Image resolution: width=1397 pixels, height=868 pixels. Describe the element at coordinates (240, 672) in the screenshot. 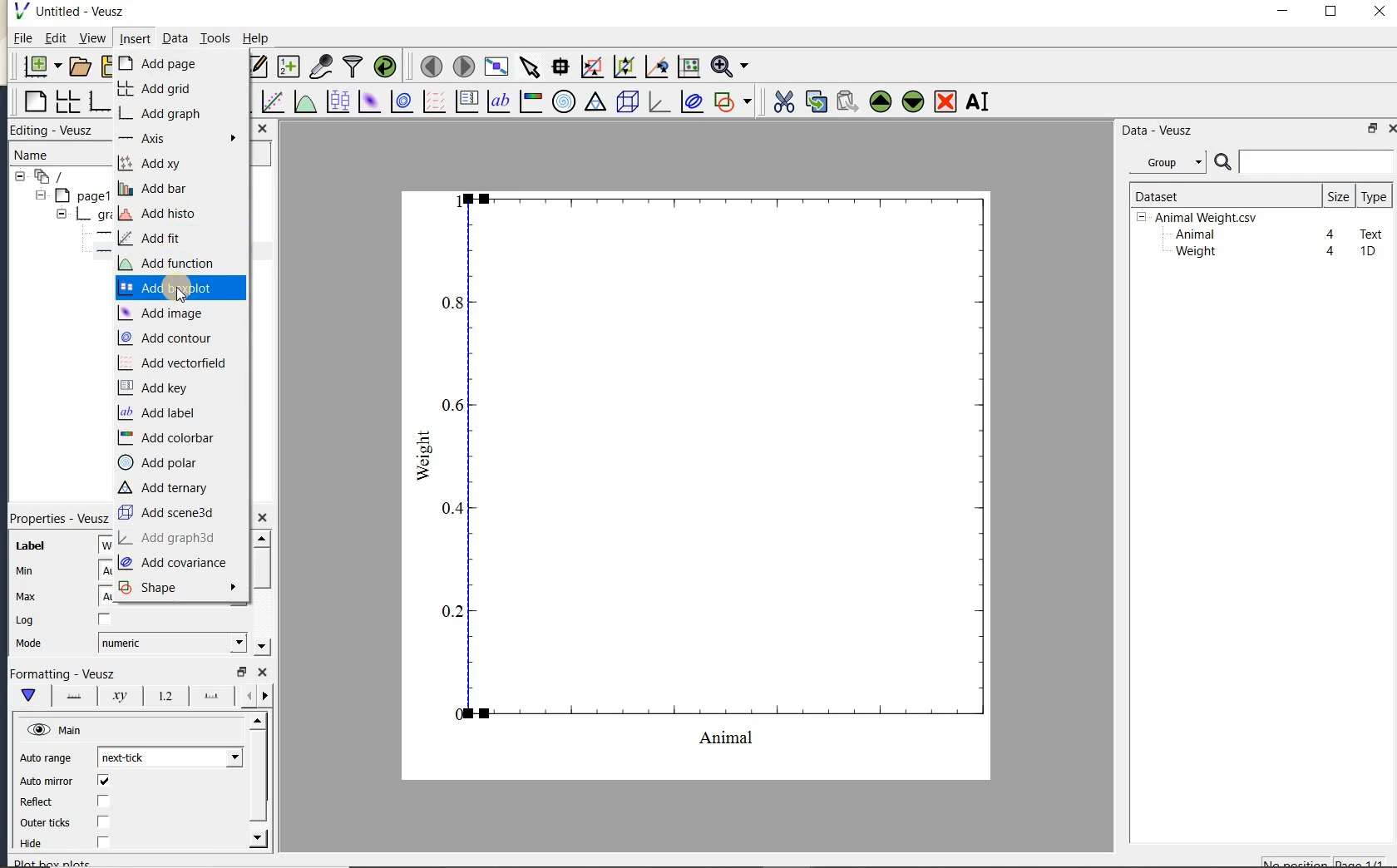

I see `restore` at that location.